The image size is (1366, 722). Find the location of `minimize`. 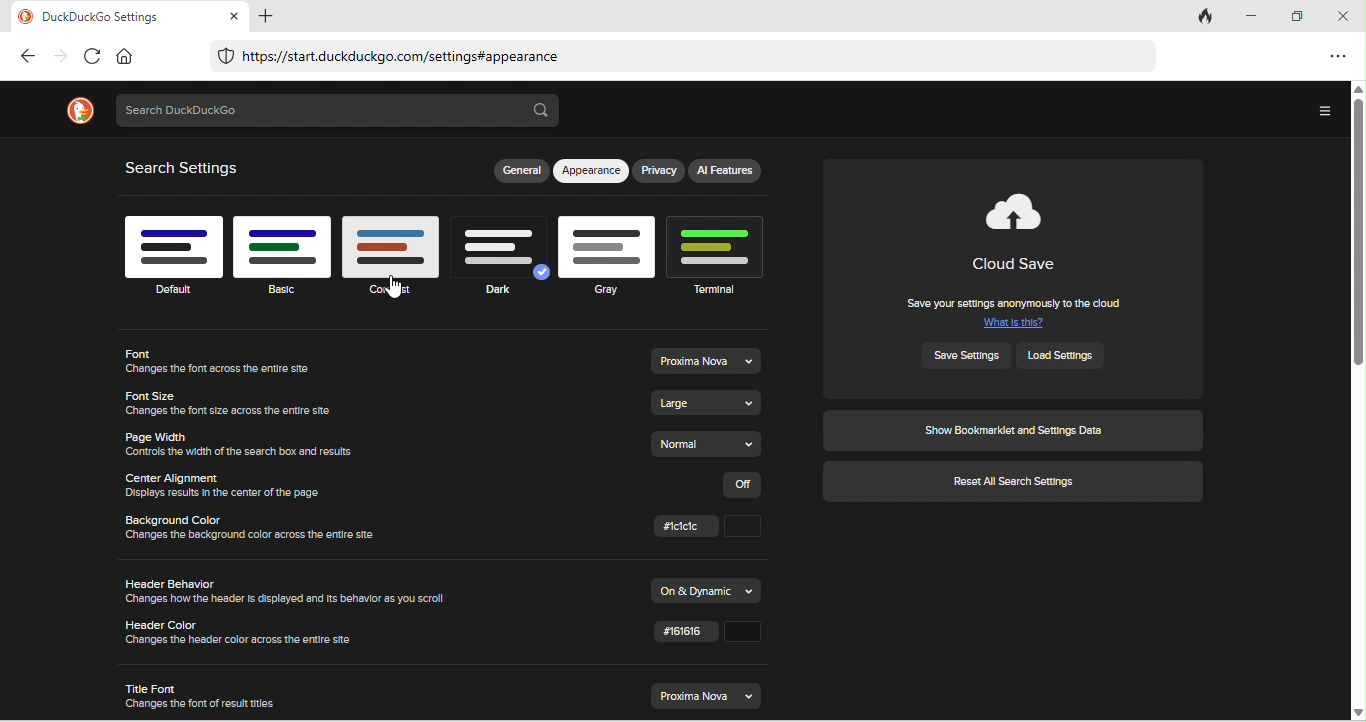

minimize is located at coordinates (1257, 16).